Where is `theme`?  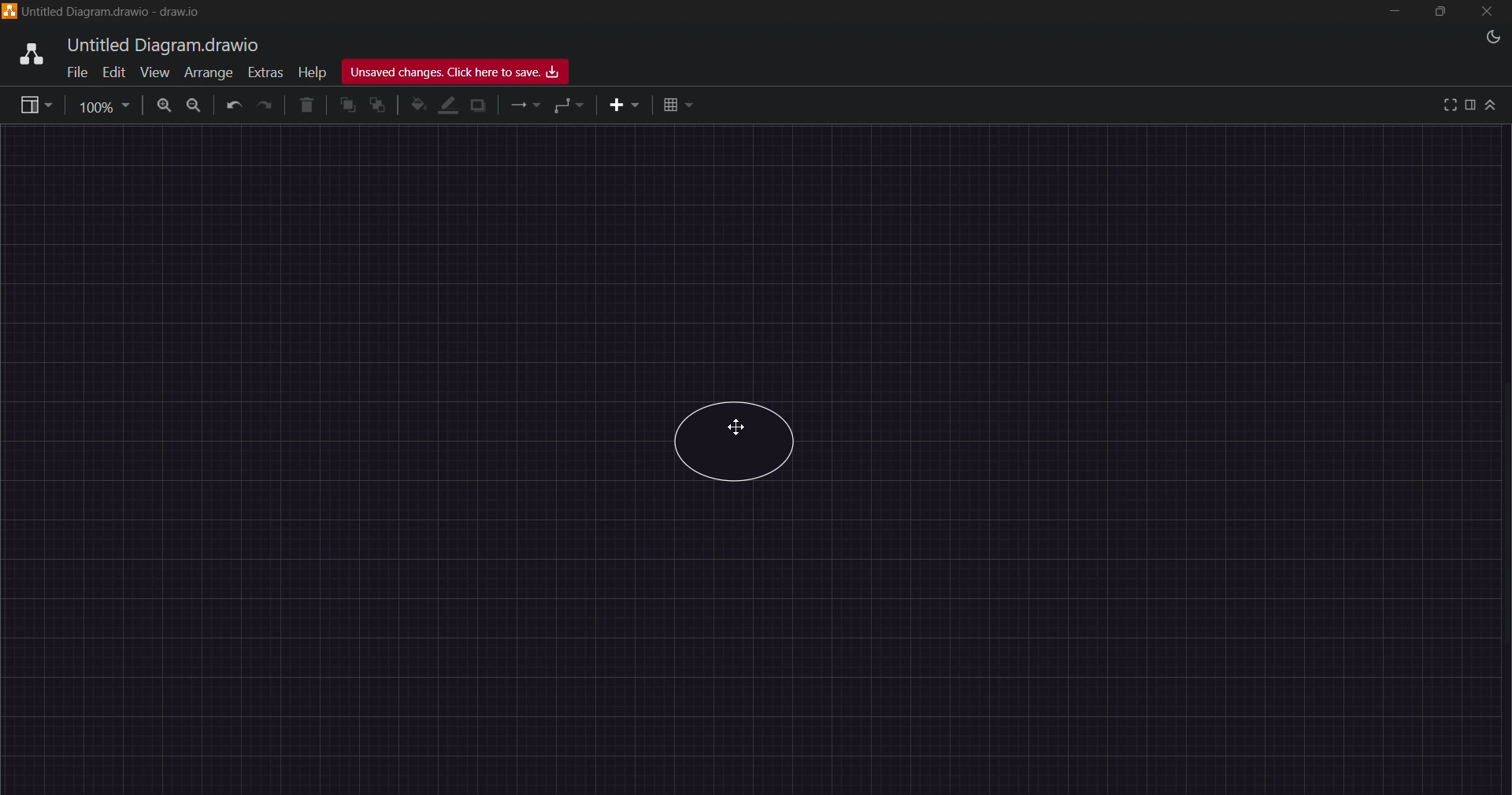
theme is located at coordinates (1496, 38).